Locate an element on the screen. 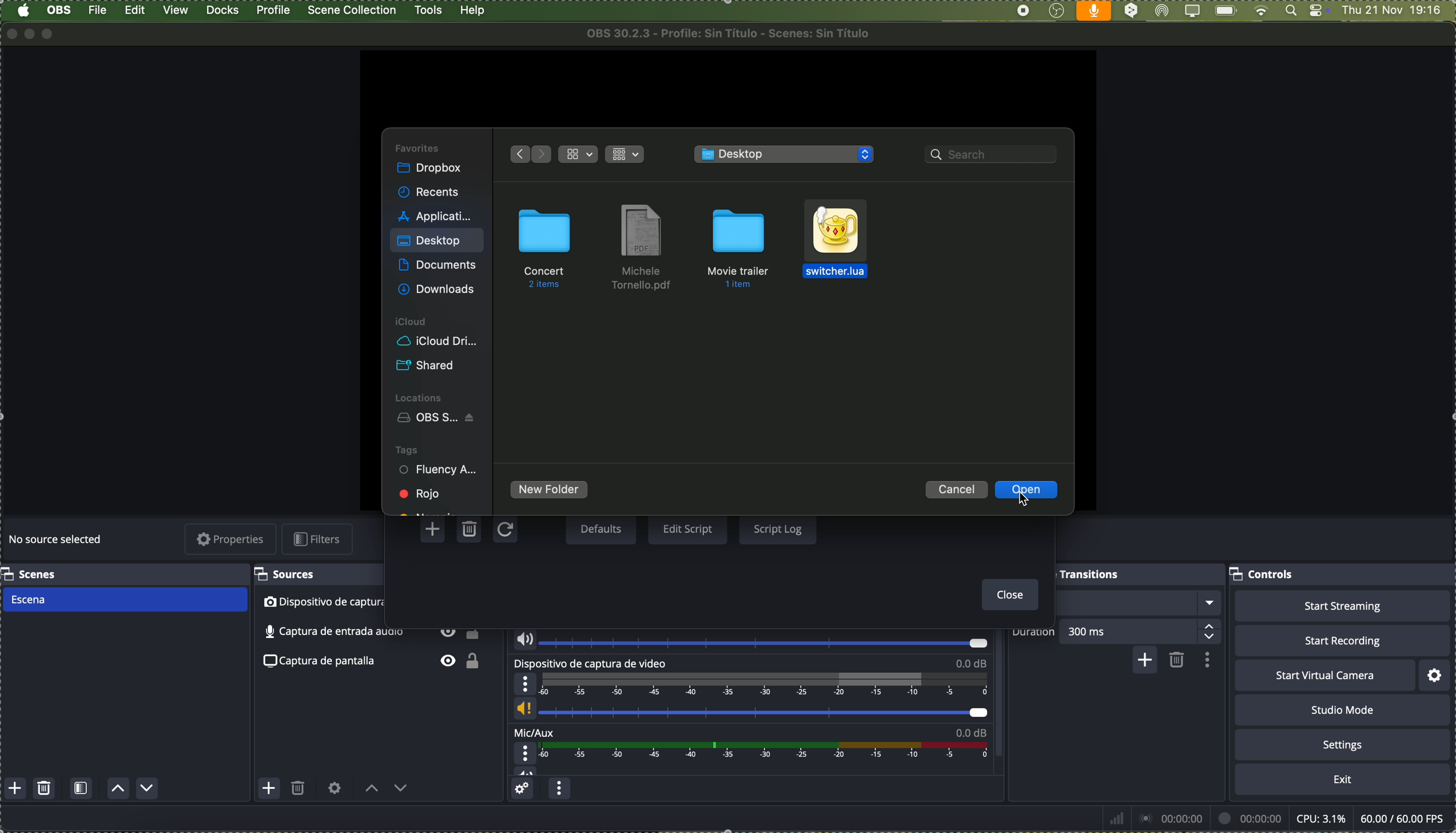  video capture device is located at coordinates (319, 603).